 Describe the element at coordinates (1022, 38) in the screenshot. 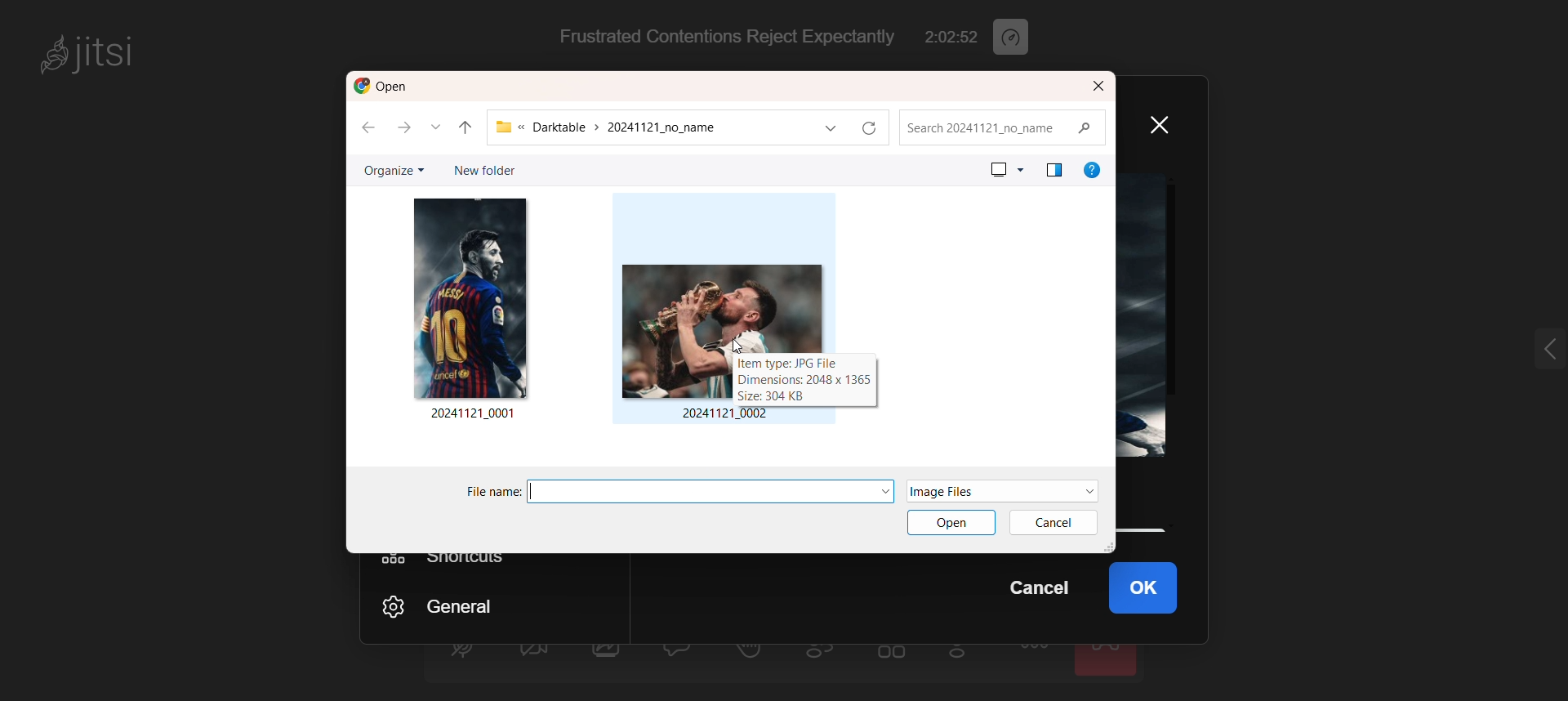

I see `performance setting` at that location.